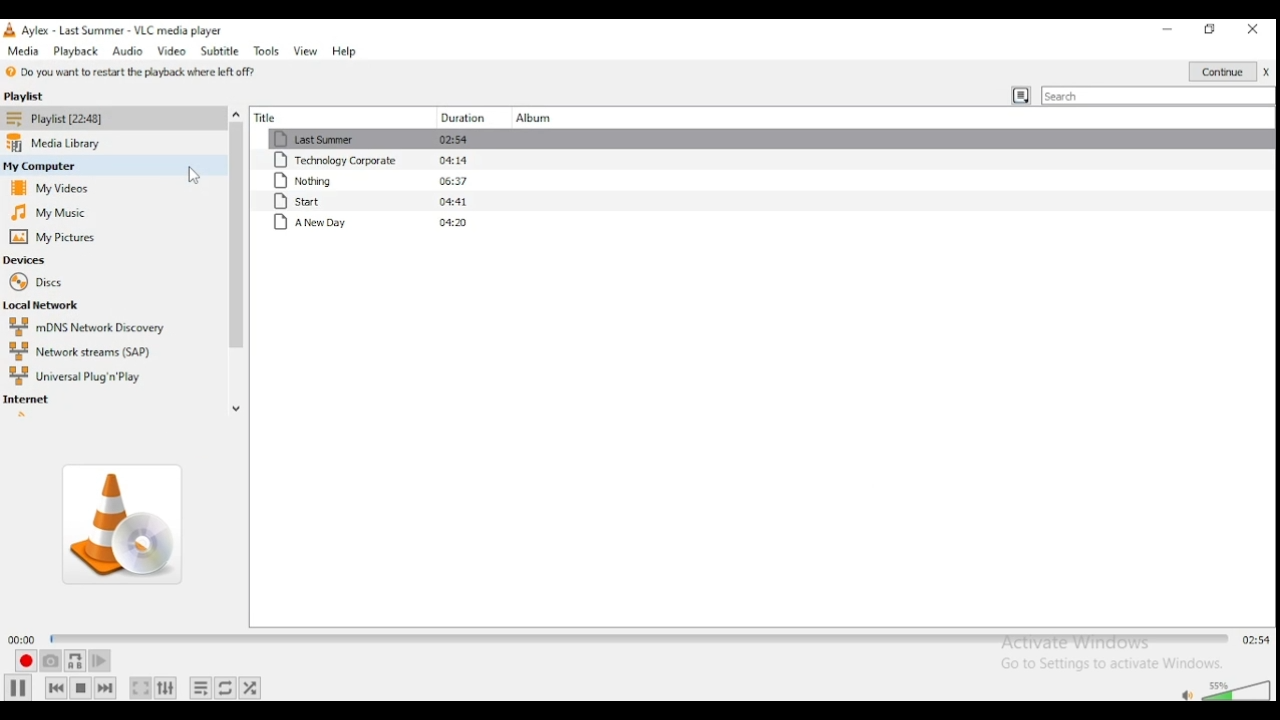 The height and width of the screenshot is (720, 1280). I want to click on toggle video in fullscreen, so click(140, 689).